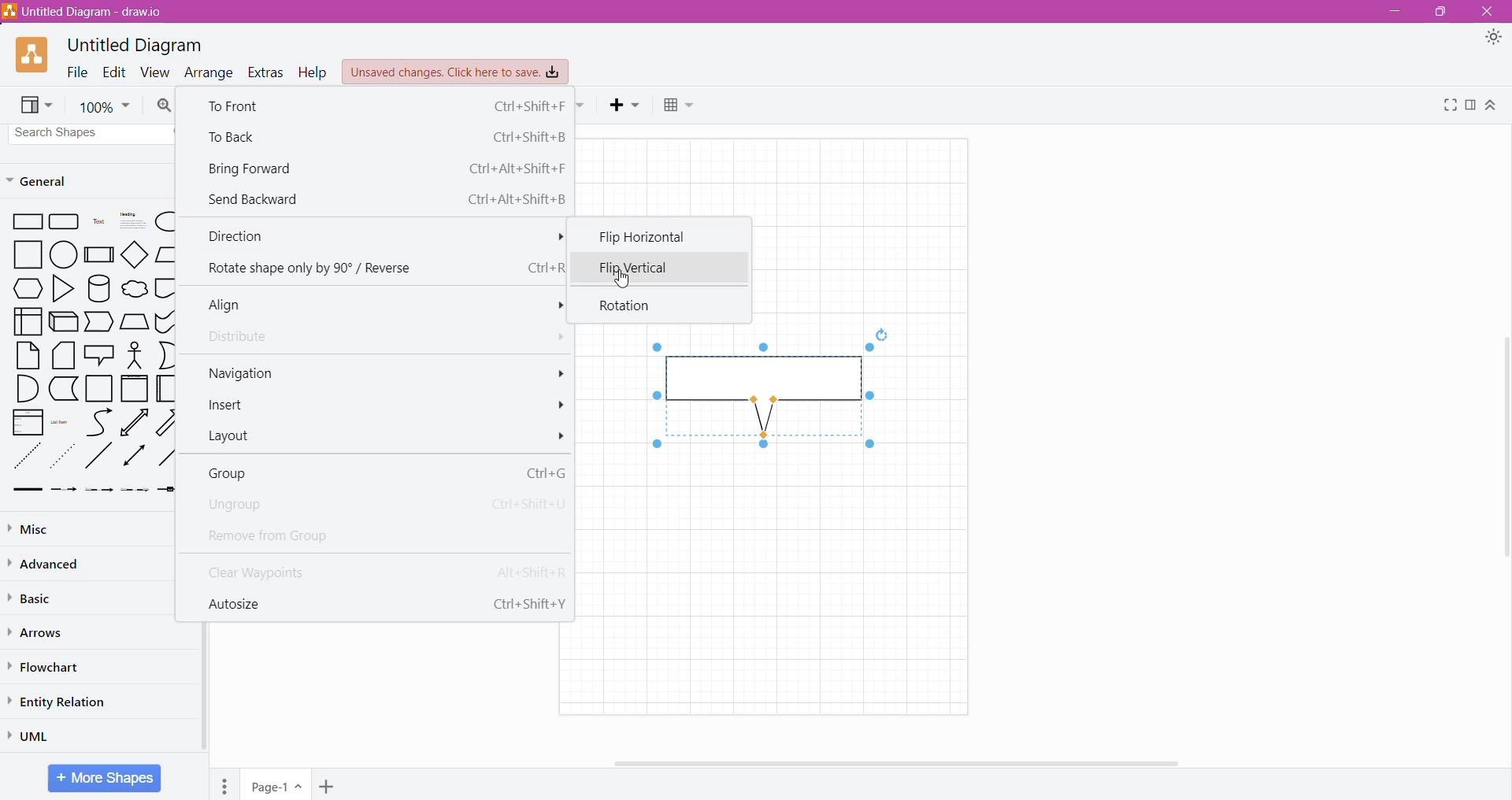  I want to click on Layout, so click(236, 438).